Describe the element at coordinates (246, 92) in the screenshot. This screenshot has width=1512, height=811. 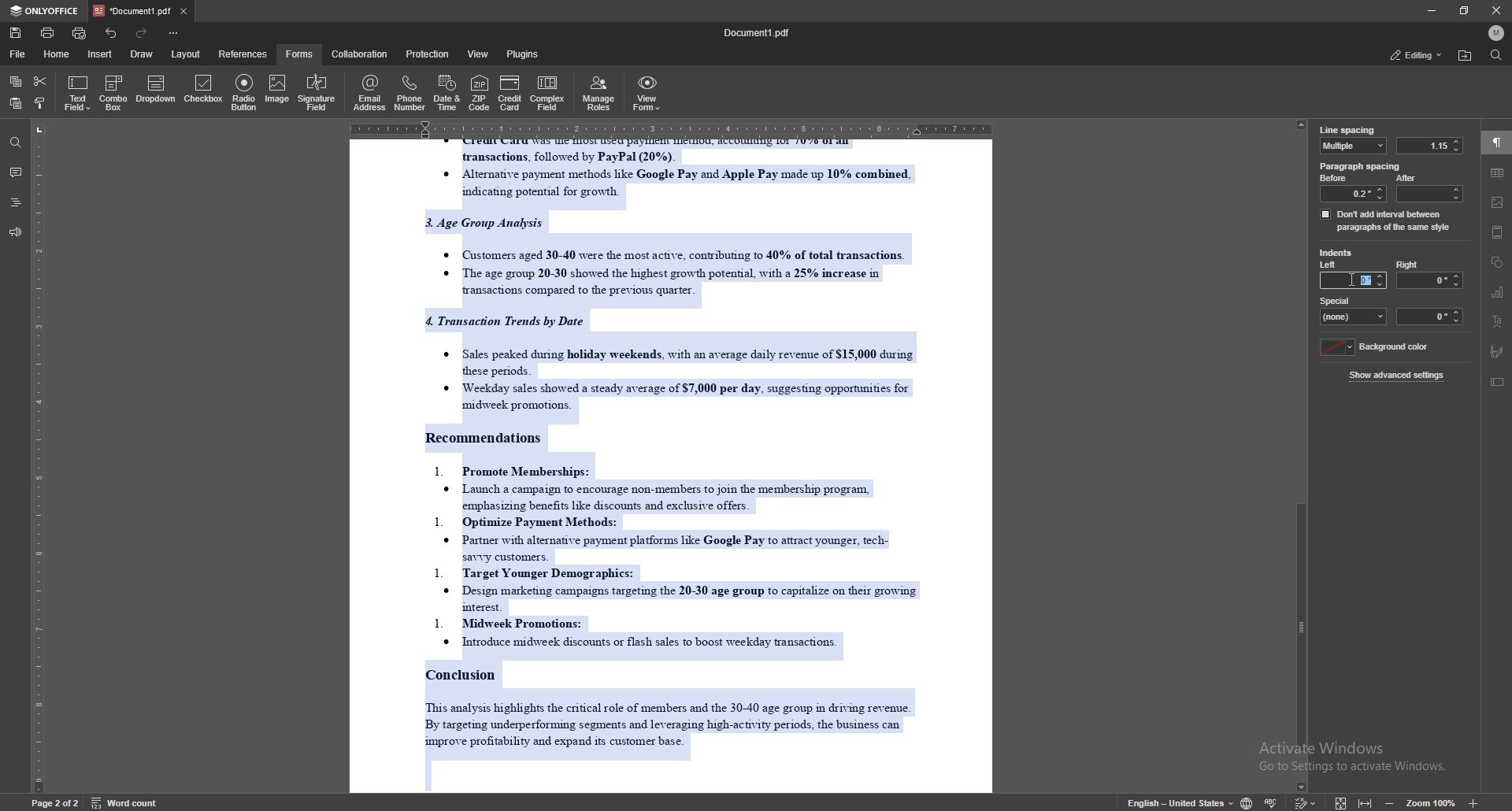
I see `radio button` at that location.